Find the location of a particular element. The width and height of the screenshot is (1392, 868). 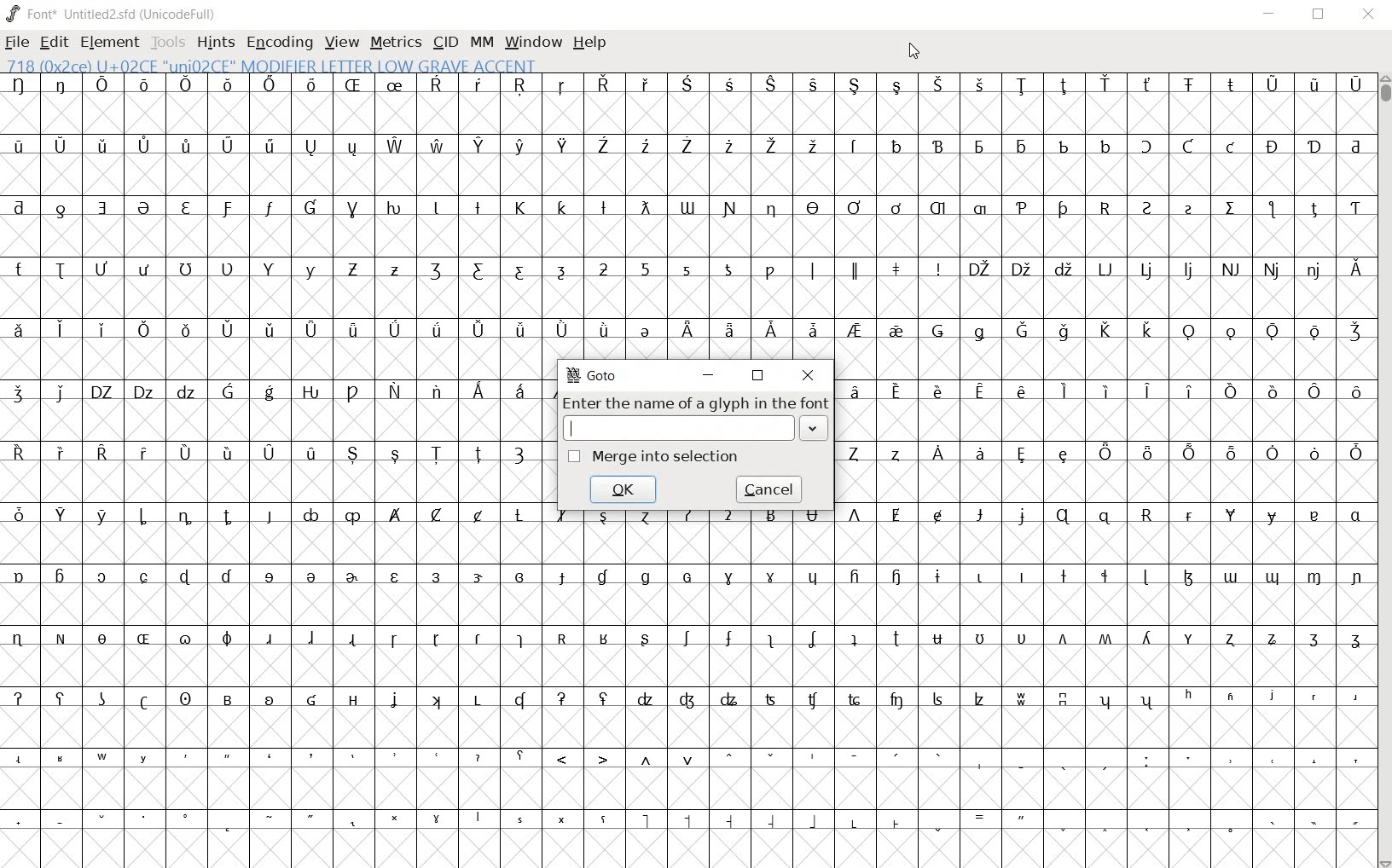

Enter the name of a glyph in the font is located at coordinates (694, 418).